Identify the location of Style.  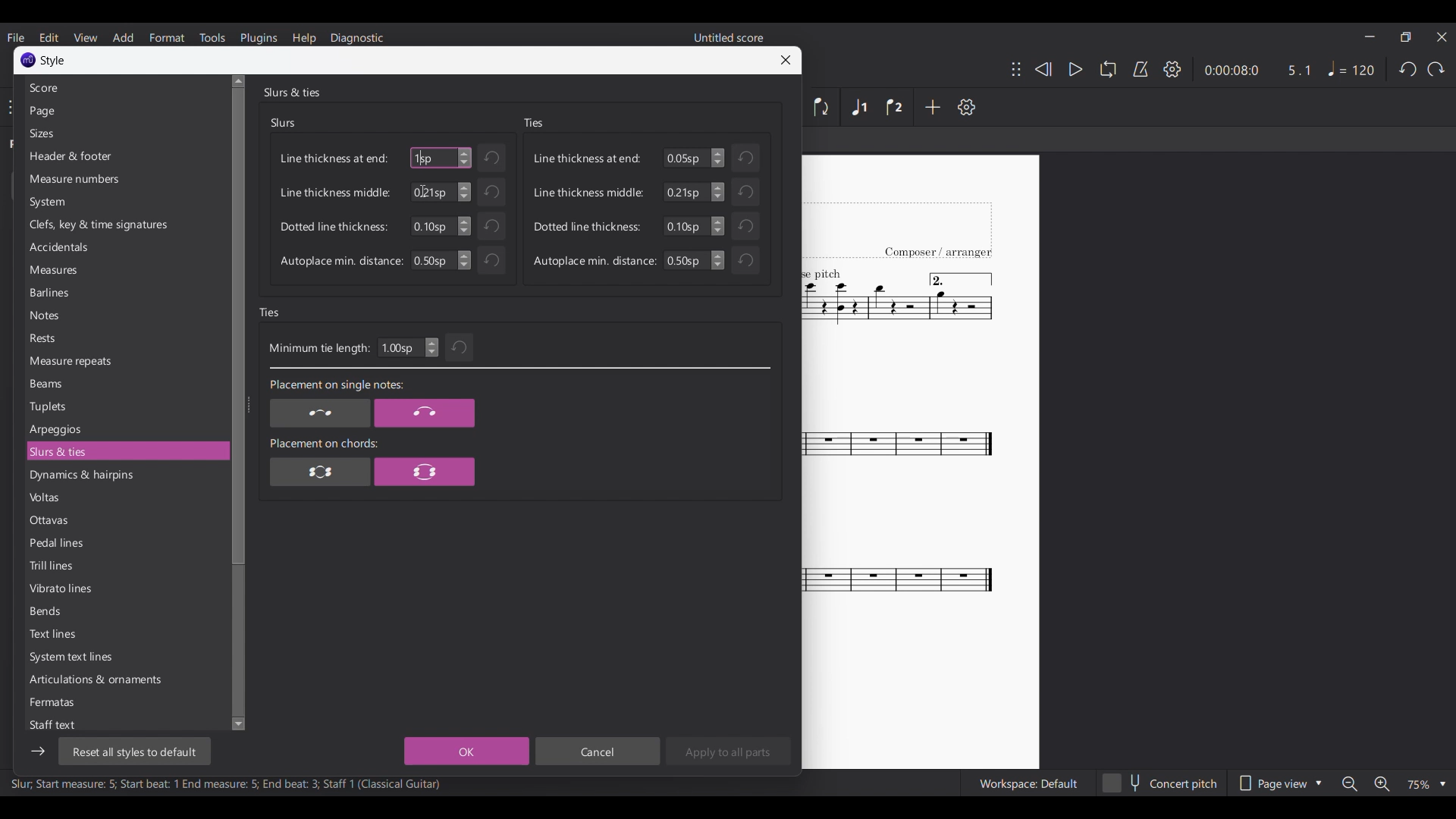
(54, 61).